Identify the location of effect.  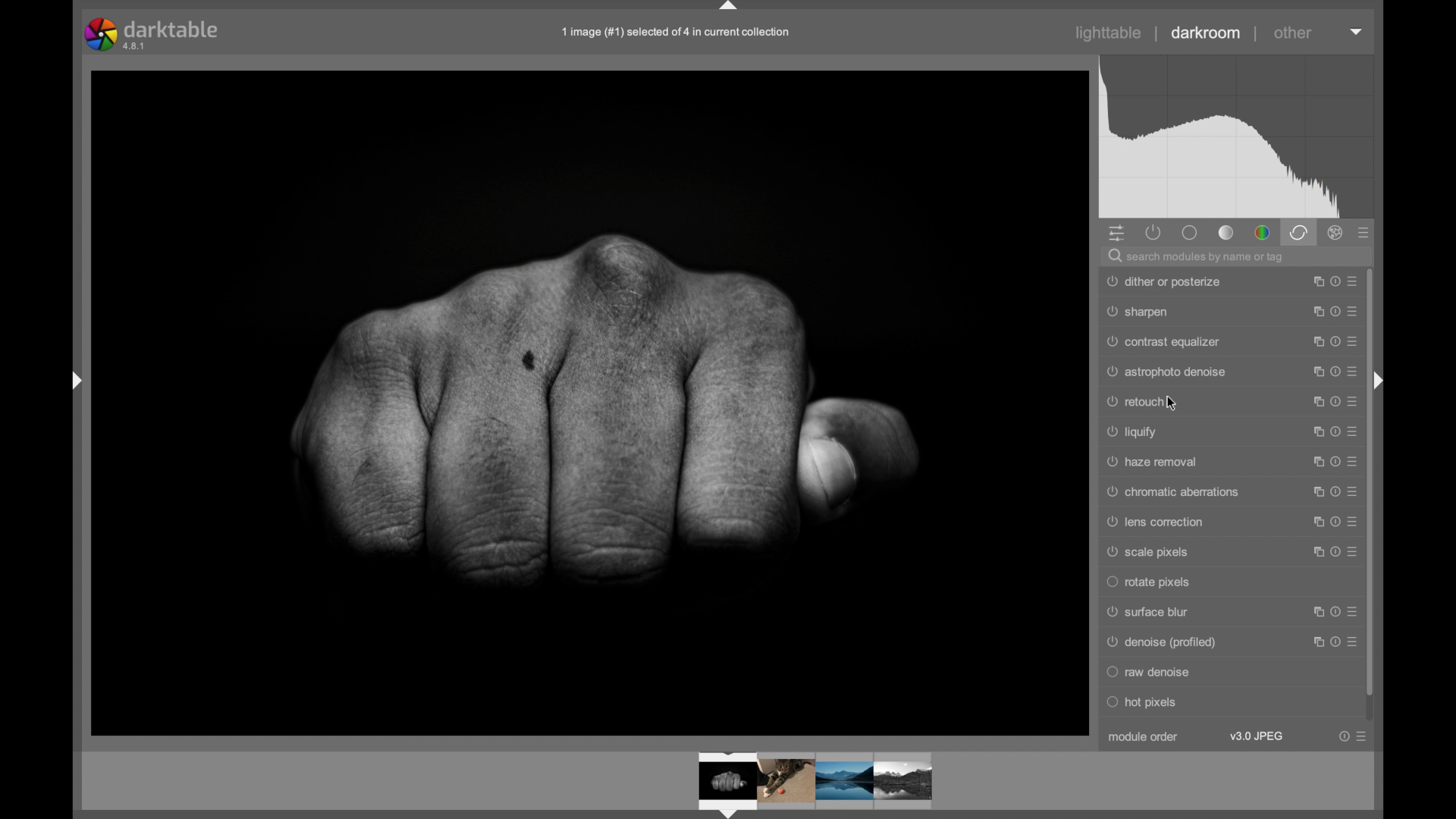
(1336, 233).